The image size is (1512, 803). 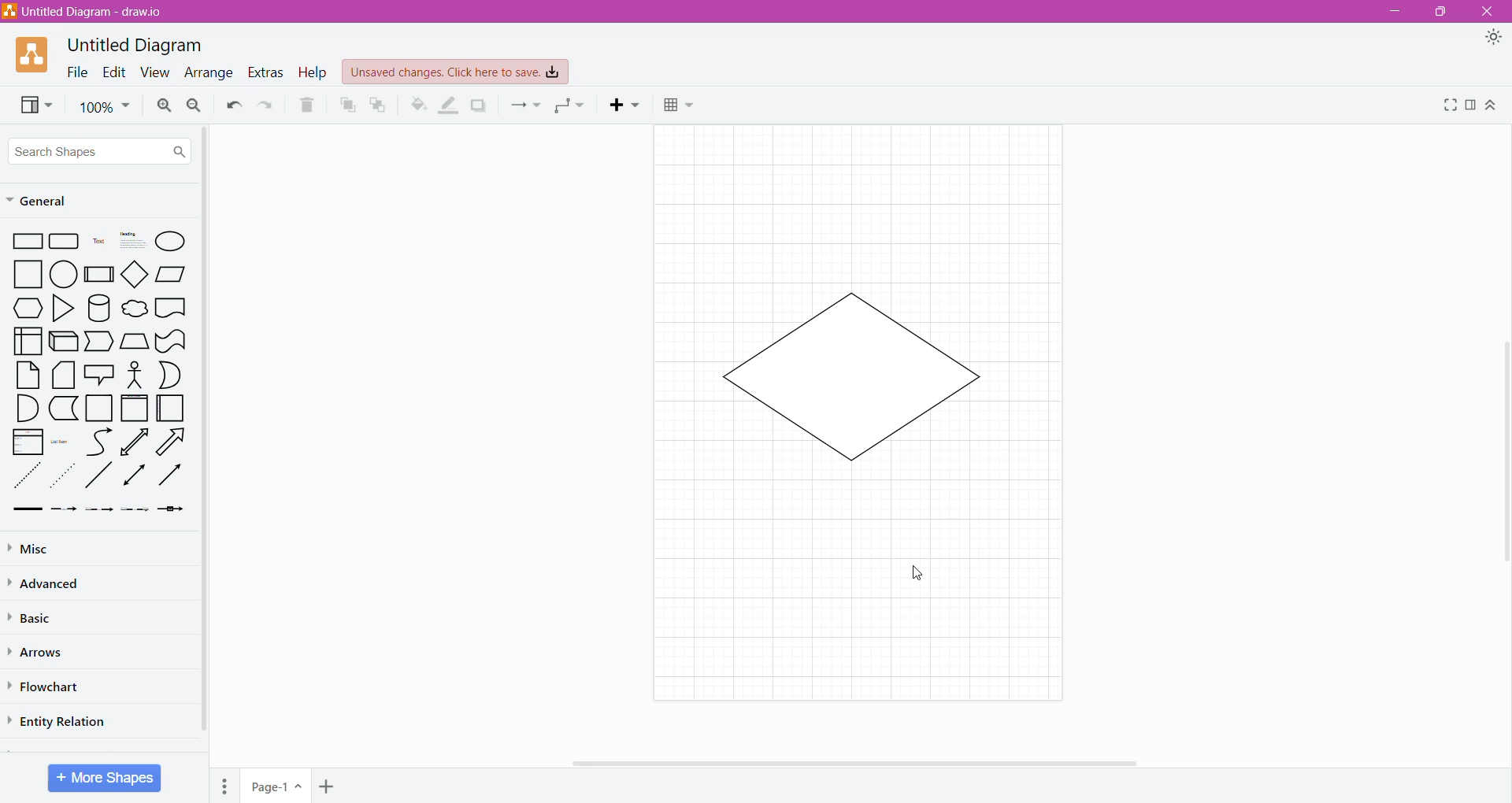 I want to click on File, so click(x=76, y=72).